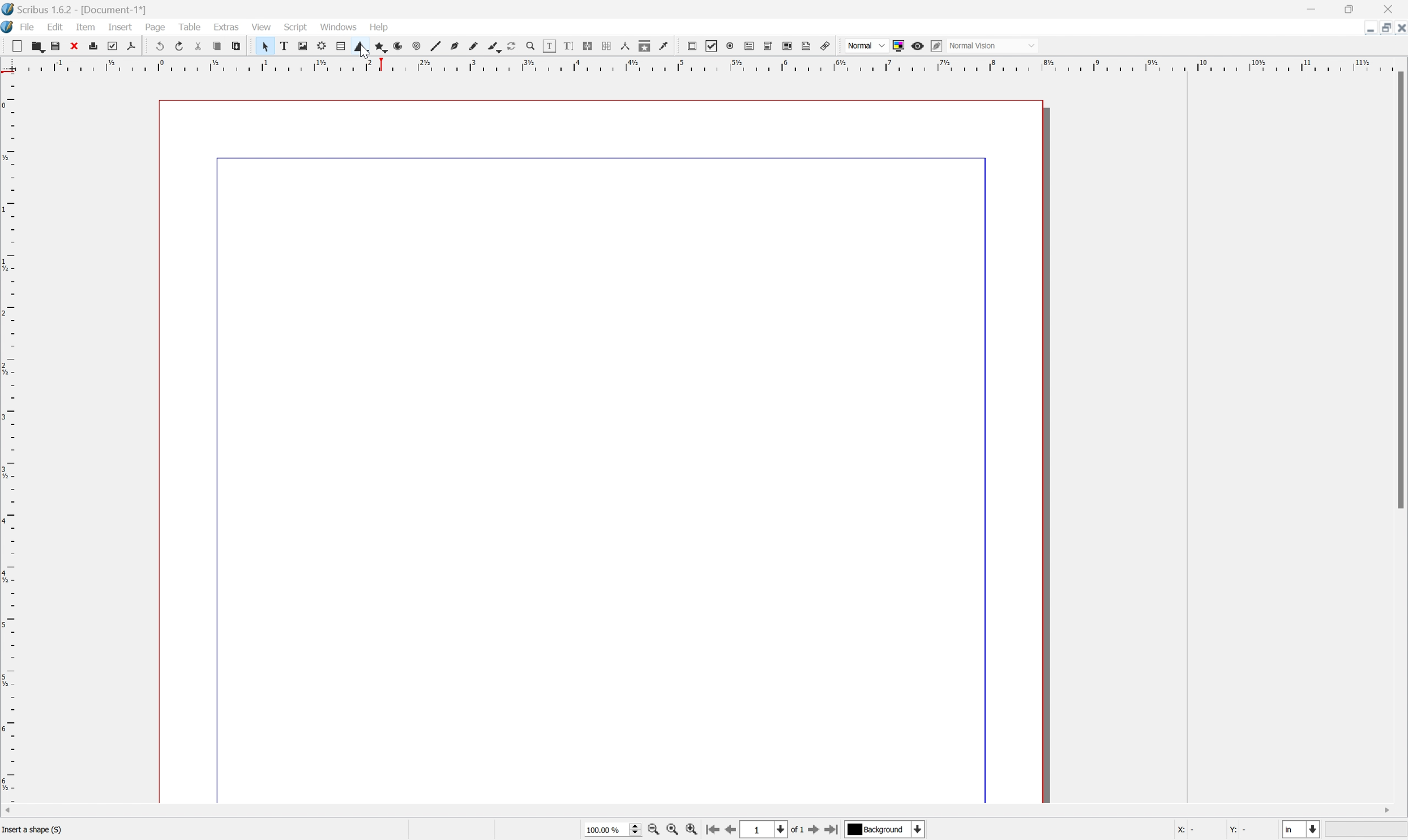 Image resolution: width=1408 pixels, height=840 pixels. Describe the element at coordinates (178, 45) in the screenshot. I see `Redo` at that location.